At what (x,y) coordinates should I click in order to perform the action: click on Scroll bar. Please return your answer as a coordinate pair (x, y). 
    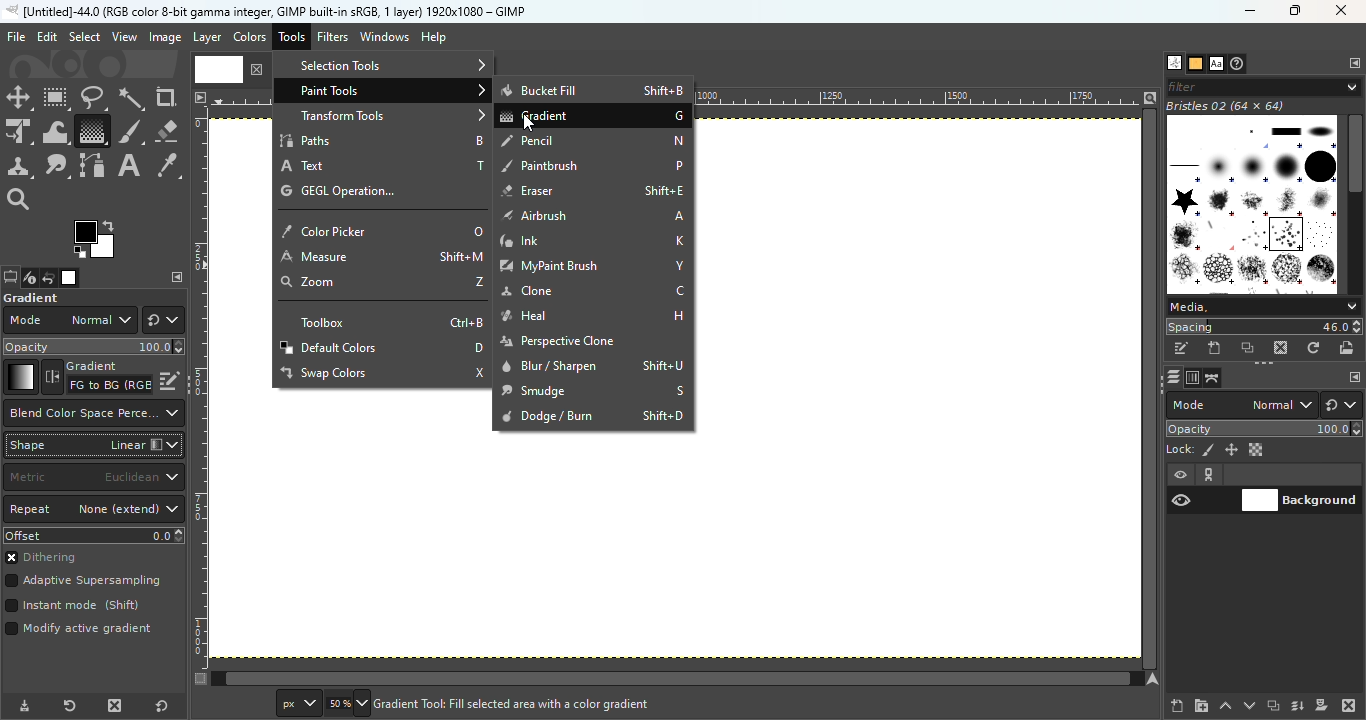
    Looking at the image, I should click on (1355, 201).